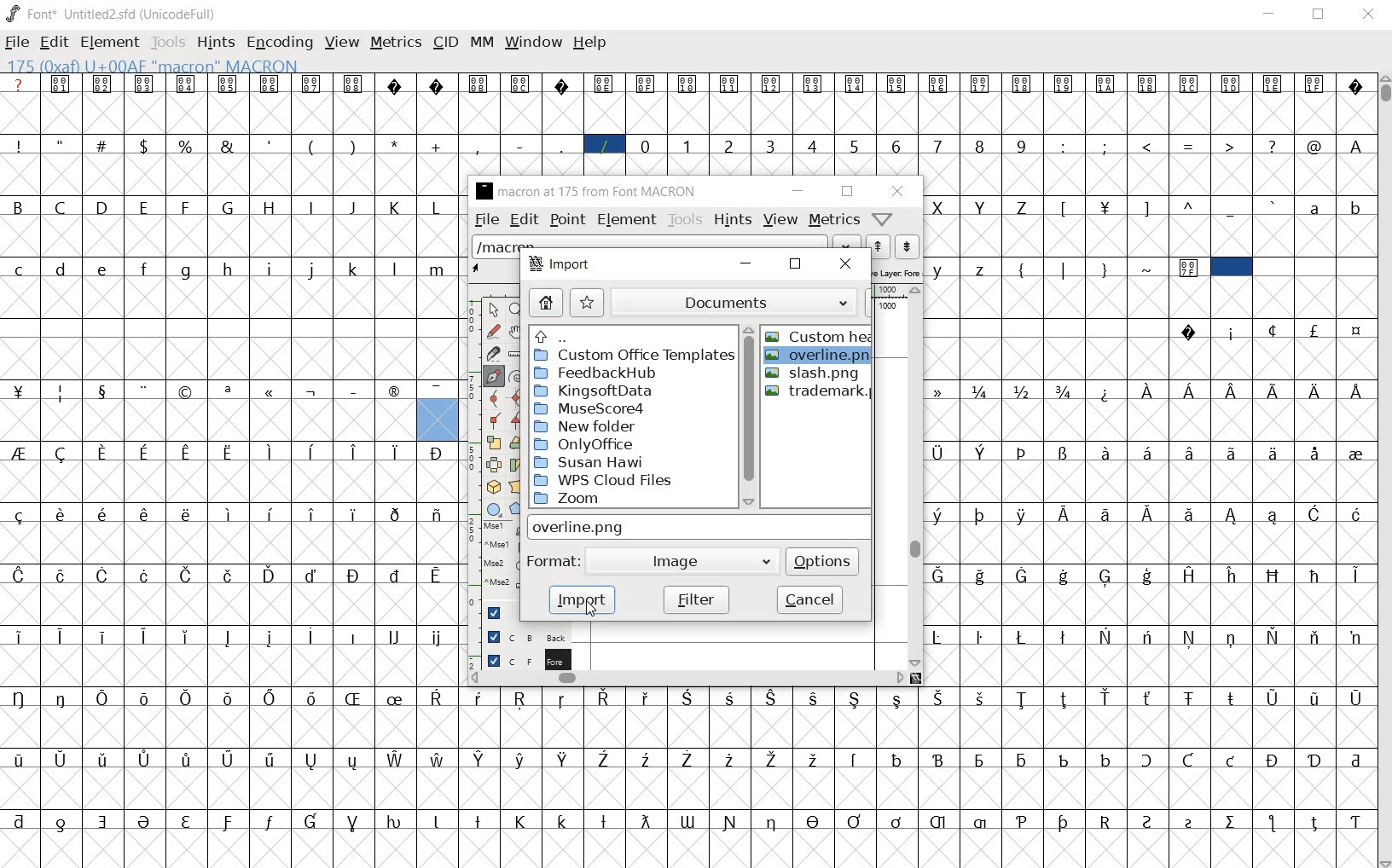 The width and height of the screenshot is (1392, 868). Describe the element at coordinates (1357, 330) in the screenshot. I see `Symbol` at that location.